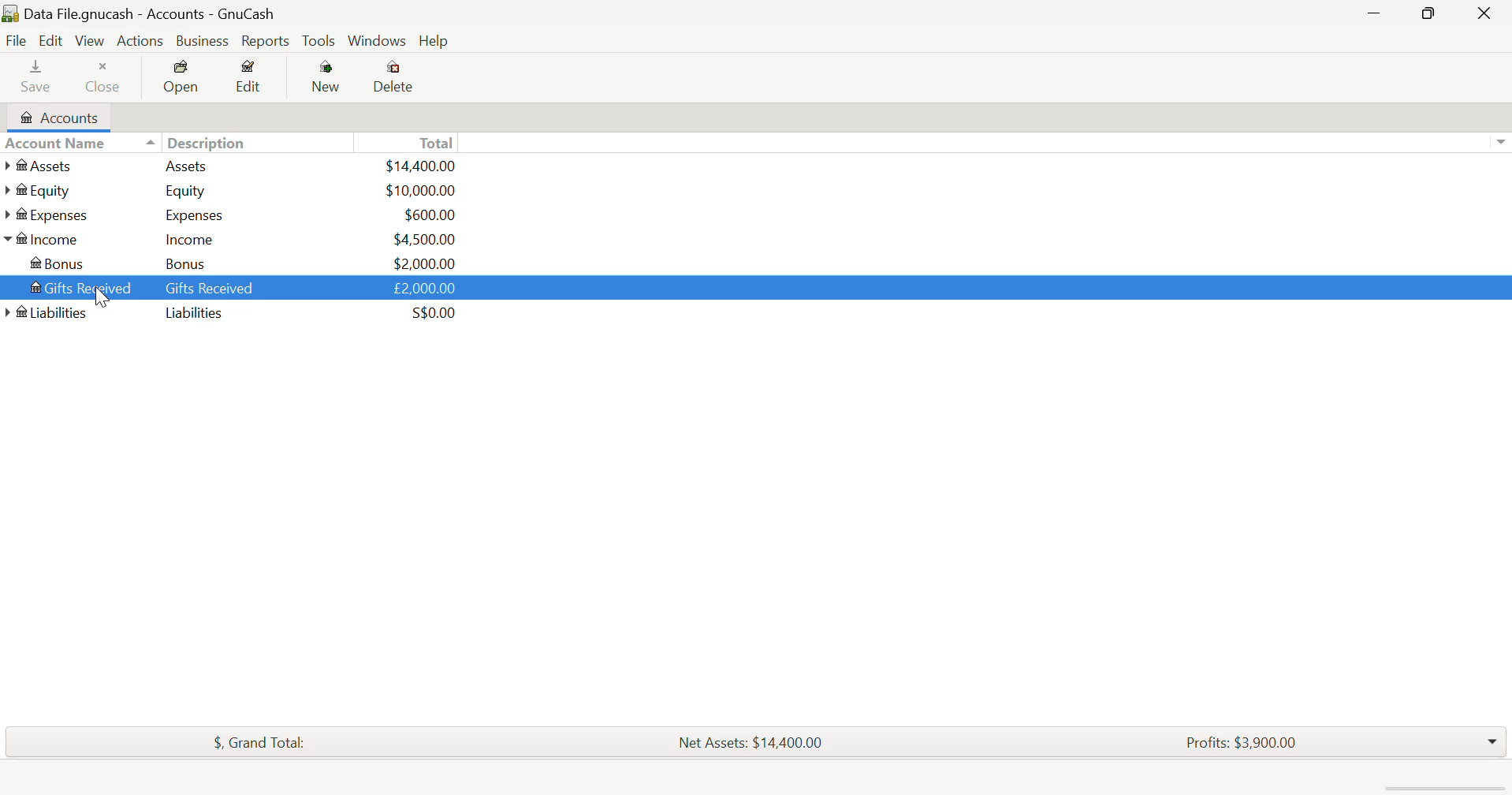 This screenshot has width=1512, height=795. Describe the element at coordinates (397, 79) in the screenshot. I see `Delete` at that location.